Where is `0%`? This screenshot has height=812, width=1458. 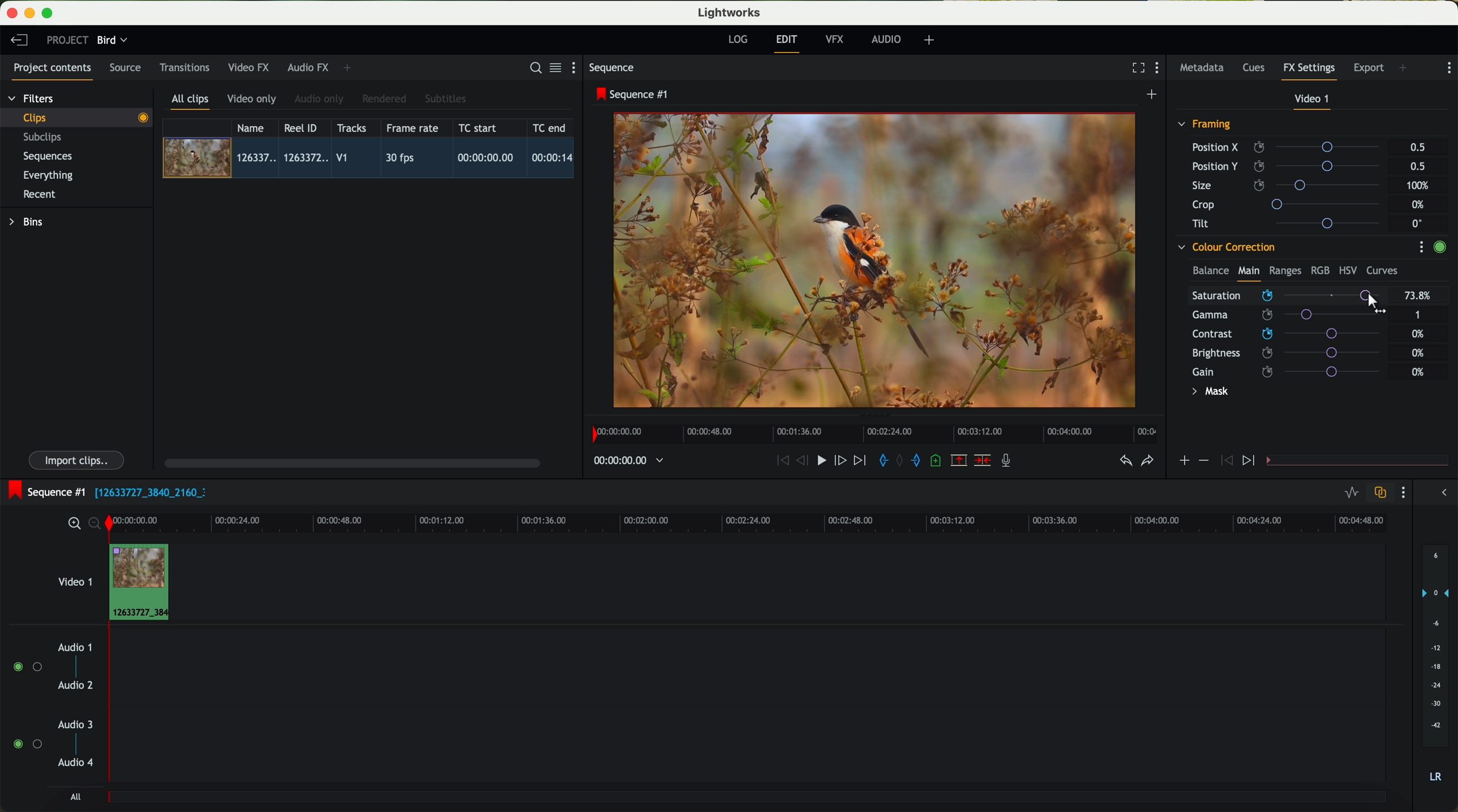
0% is located at coordinates (1420, 205).